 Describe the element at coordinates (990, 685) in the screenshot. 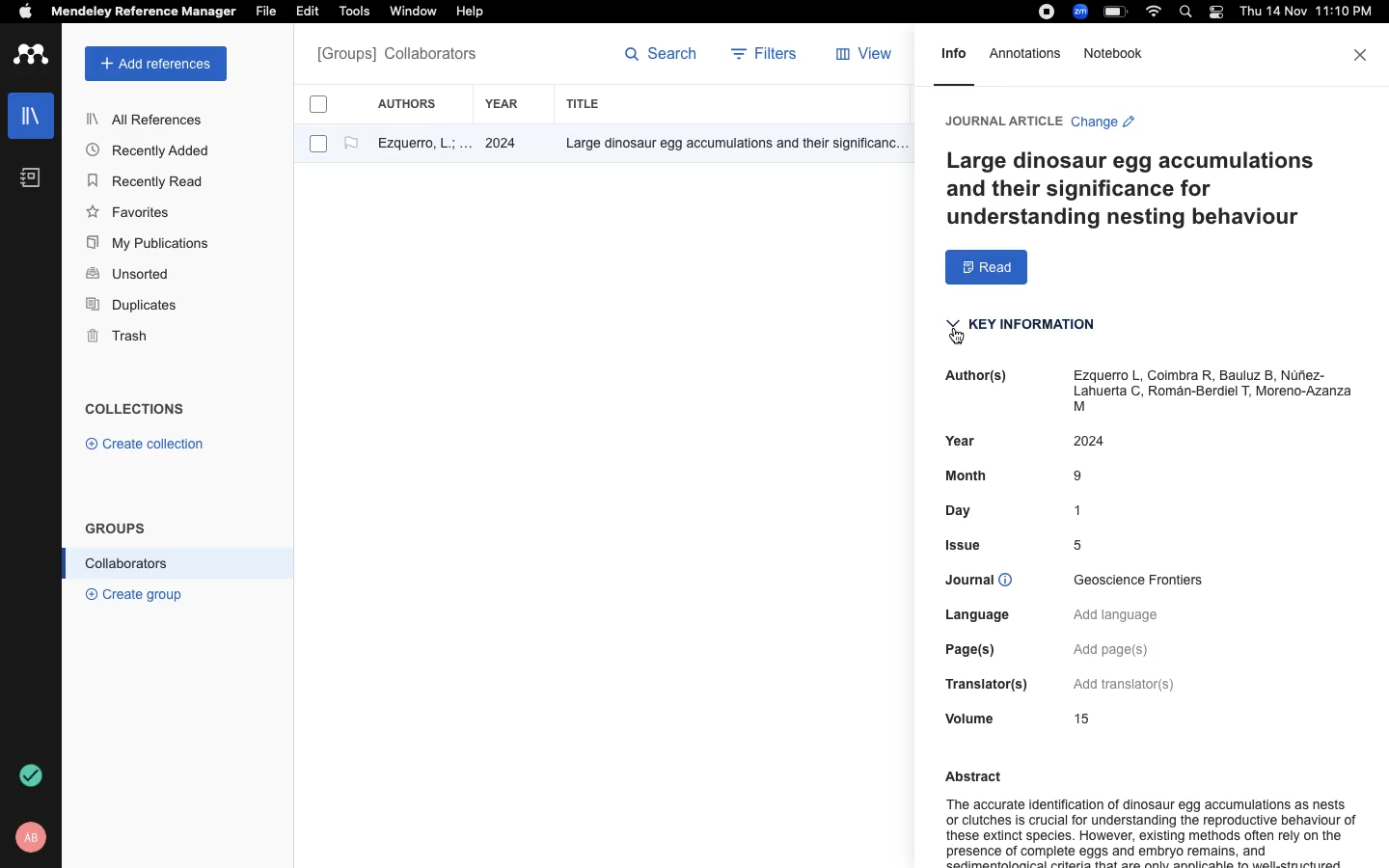

I see `Translator(s)` at that location.